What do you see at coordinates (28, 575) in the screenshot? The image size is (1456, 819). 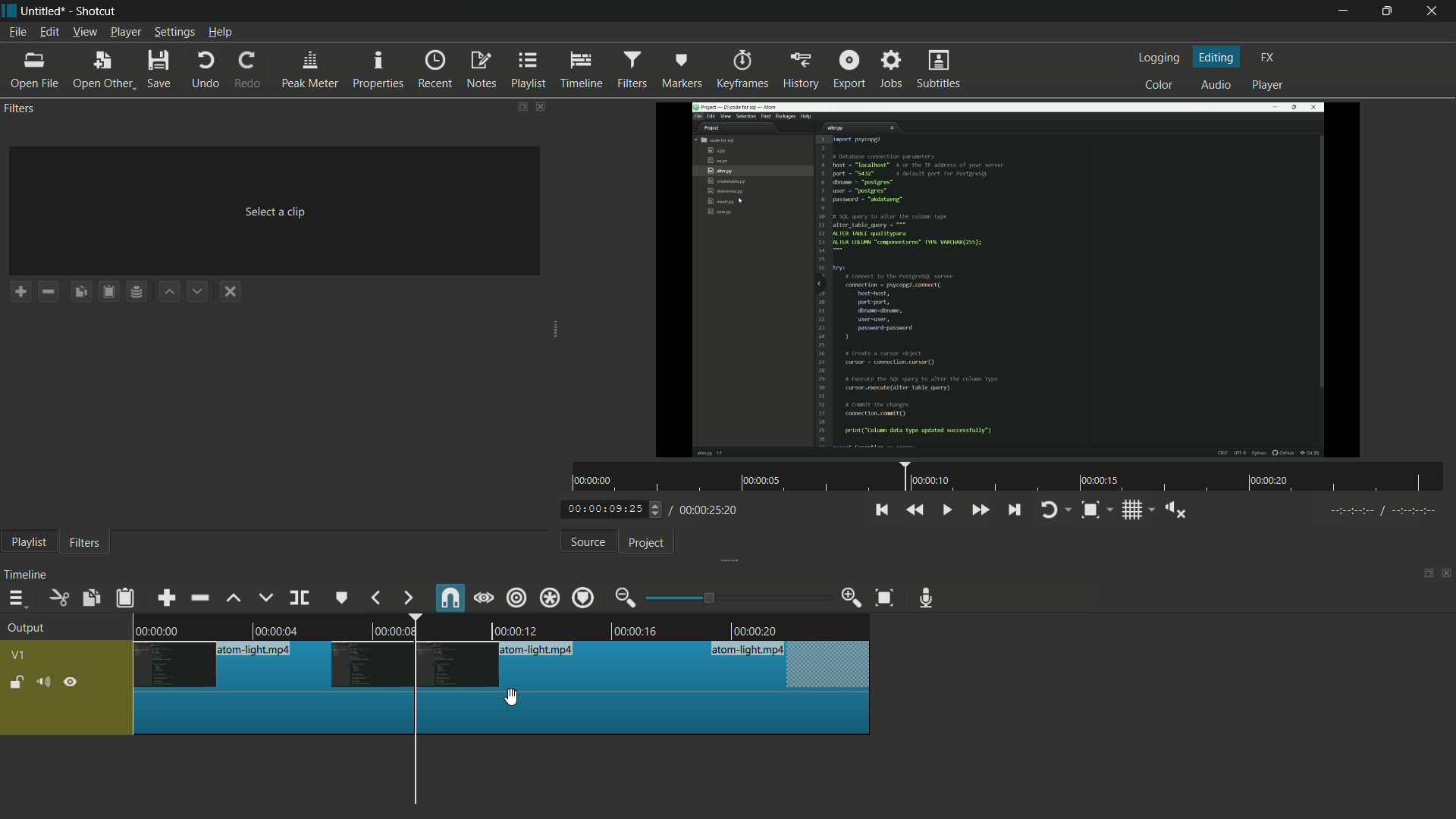 I see `timeline` at bounding box center [28, 575].